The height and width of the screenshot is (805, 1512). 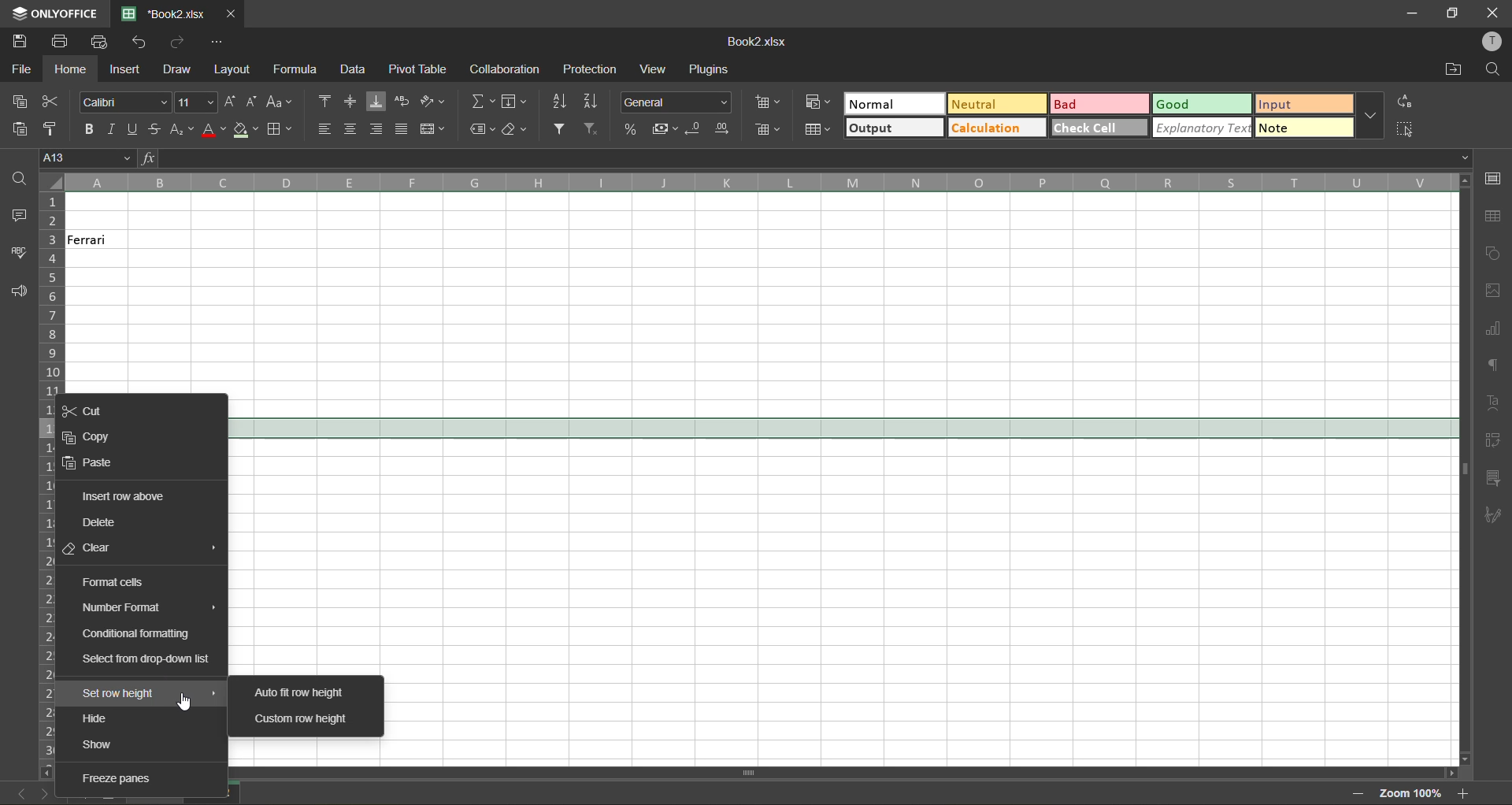 What do you see at coordinates (566, 102) in the screenshot?
I see `sort ascending` at bounding box center [566, 102].